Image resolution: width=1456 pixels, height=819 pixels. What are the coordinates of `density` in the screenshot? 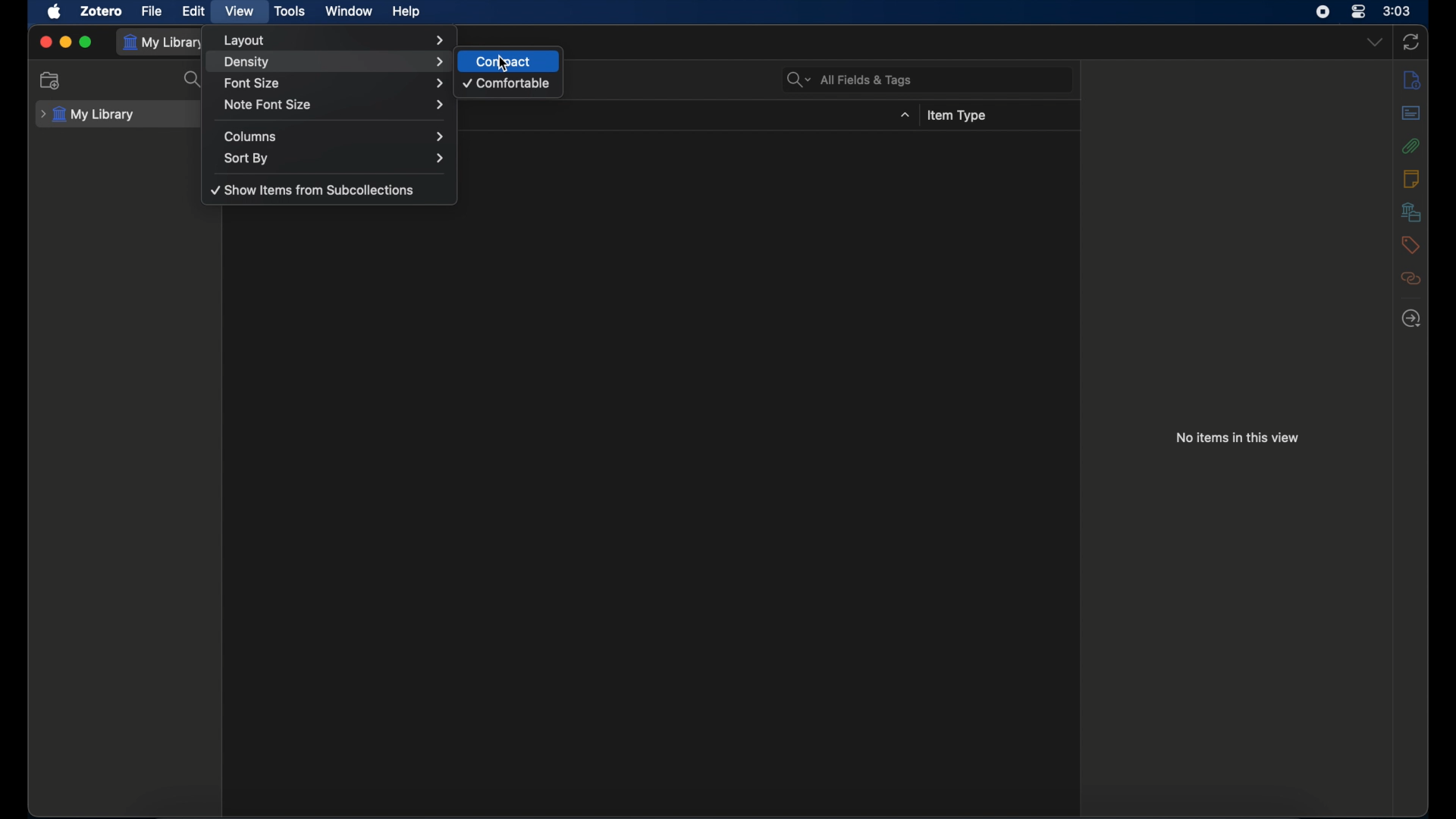 It's located at (332, 61).